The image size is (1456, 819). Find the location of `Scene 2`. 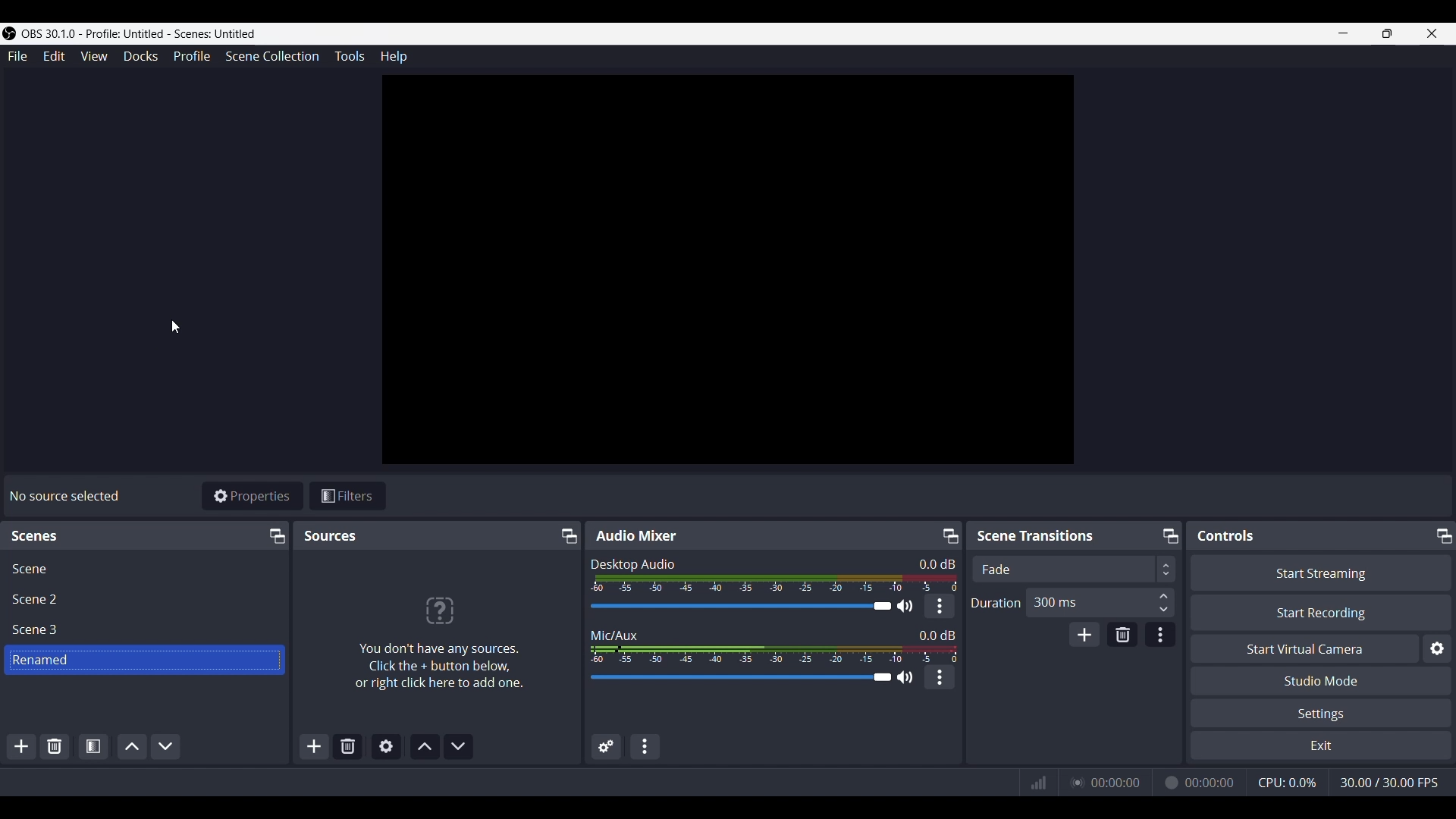

Scene 2 is located at coordinates (39, 599).